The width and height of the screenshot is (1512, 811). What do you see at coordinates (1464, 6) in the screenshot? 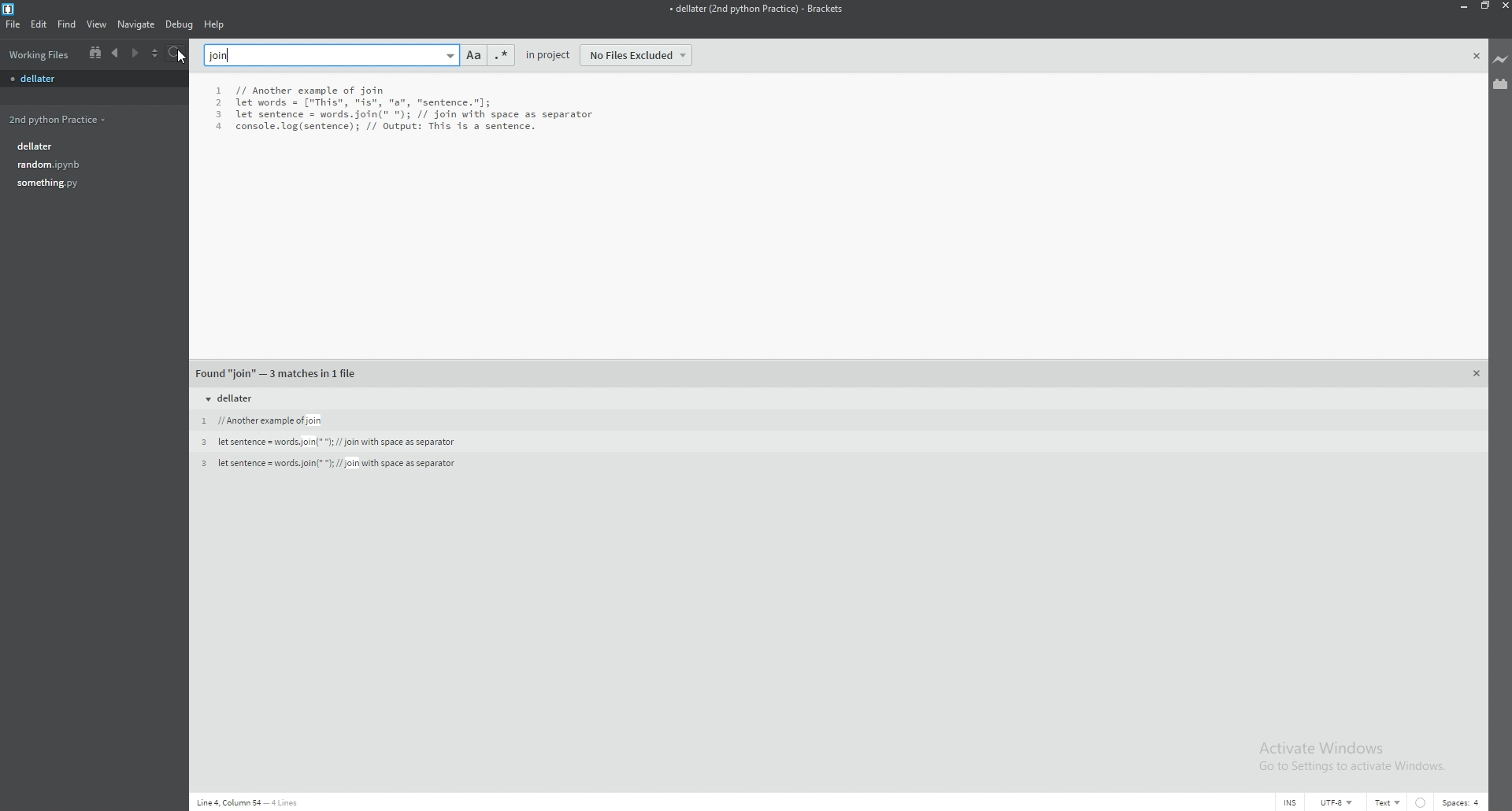
I see `minimize` at bounding box center [1464, 6].